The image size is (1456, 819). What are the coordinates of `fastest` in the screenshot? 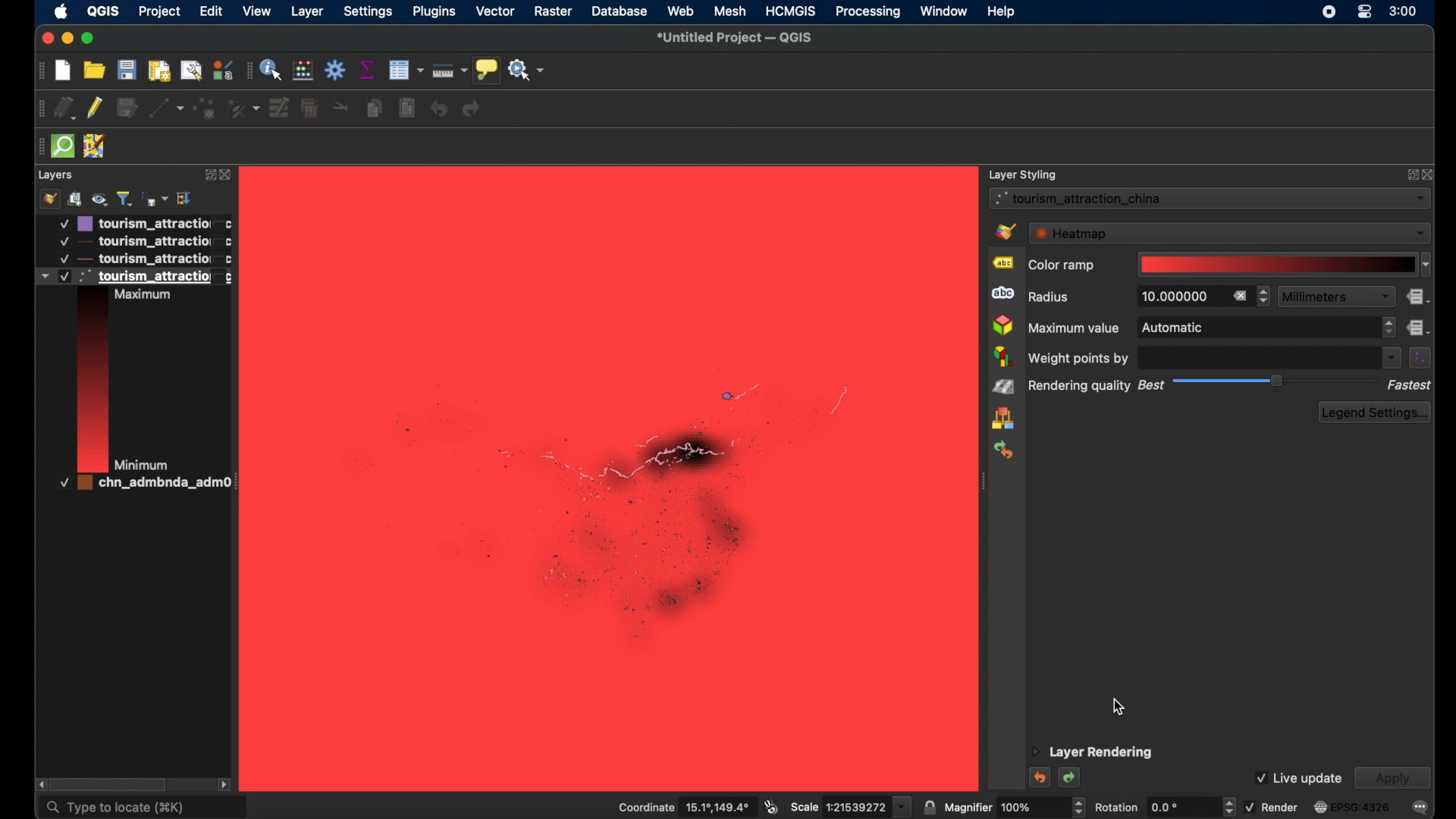 It's located at (1410, 385).